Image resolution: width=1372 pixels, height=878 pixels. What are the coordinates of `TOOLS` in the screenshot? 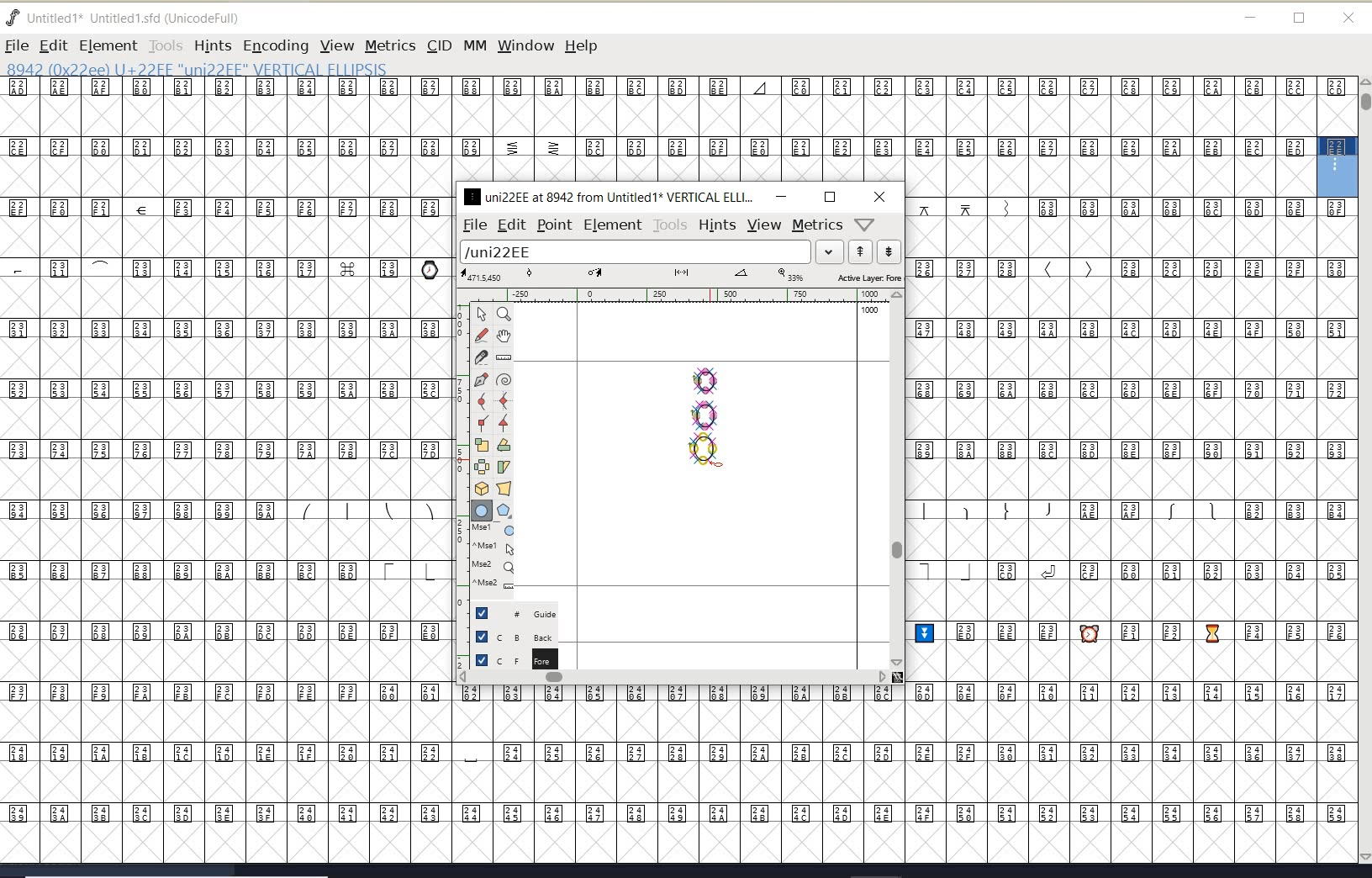 It's located at (165, 45).